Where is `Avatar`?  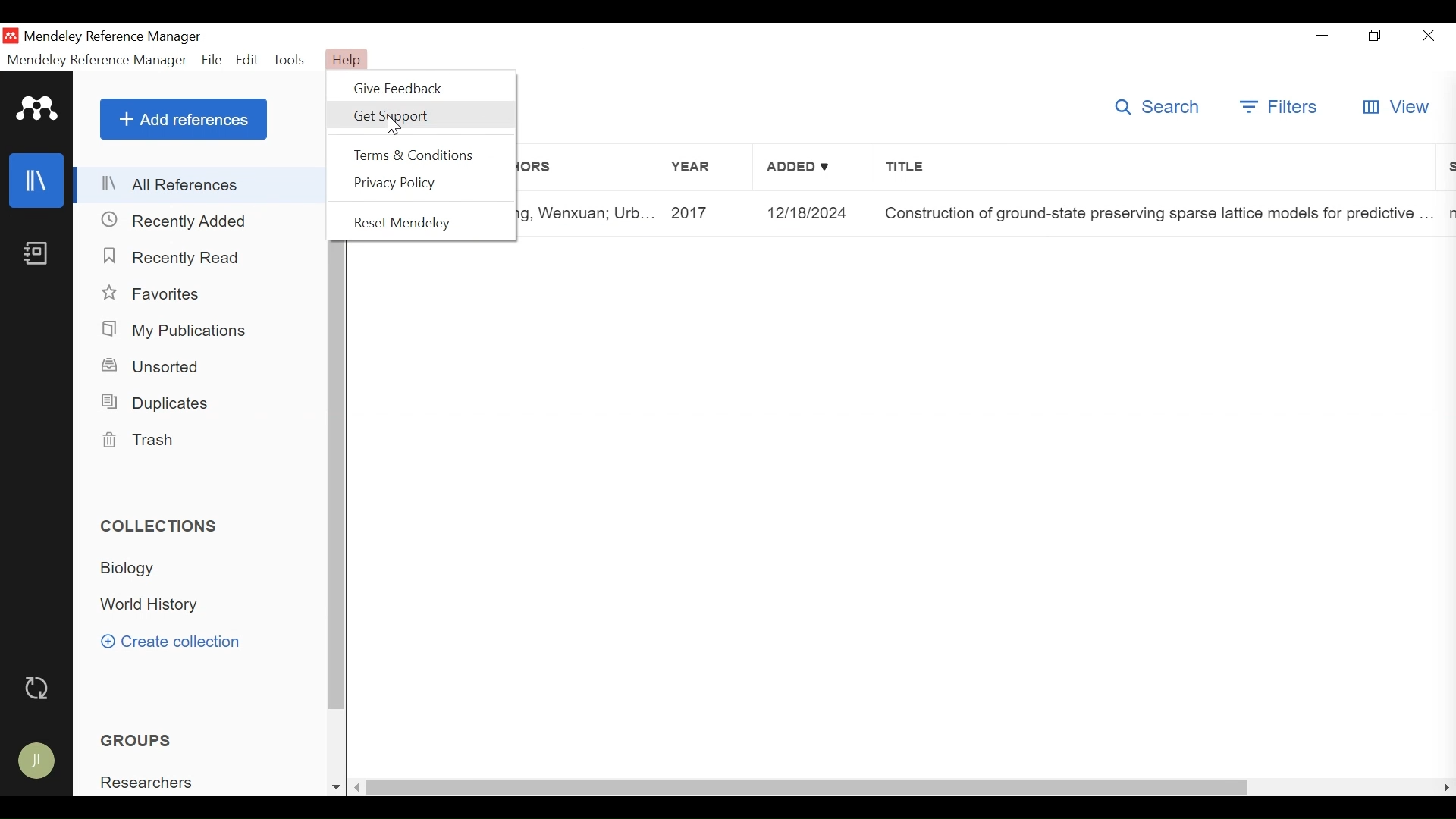
Avatar is located at coordinates (37, 762).